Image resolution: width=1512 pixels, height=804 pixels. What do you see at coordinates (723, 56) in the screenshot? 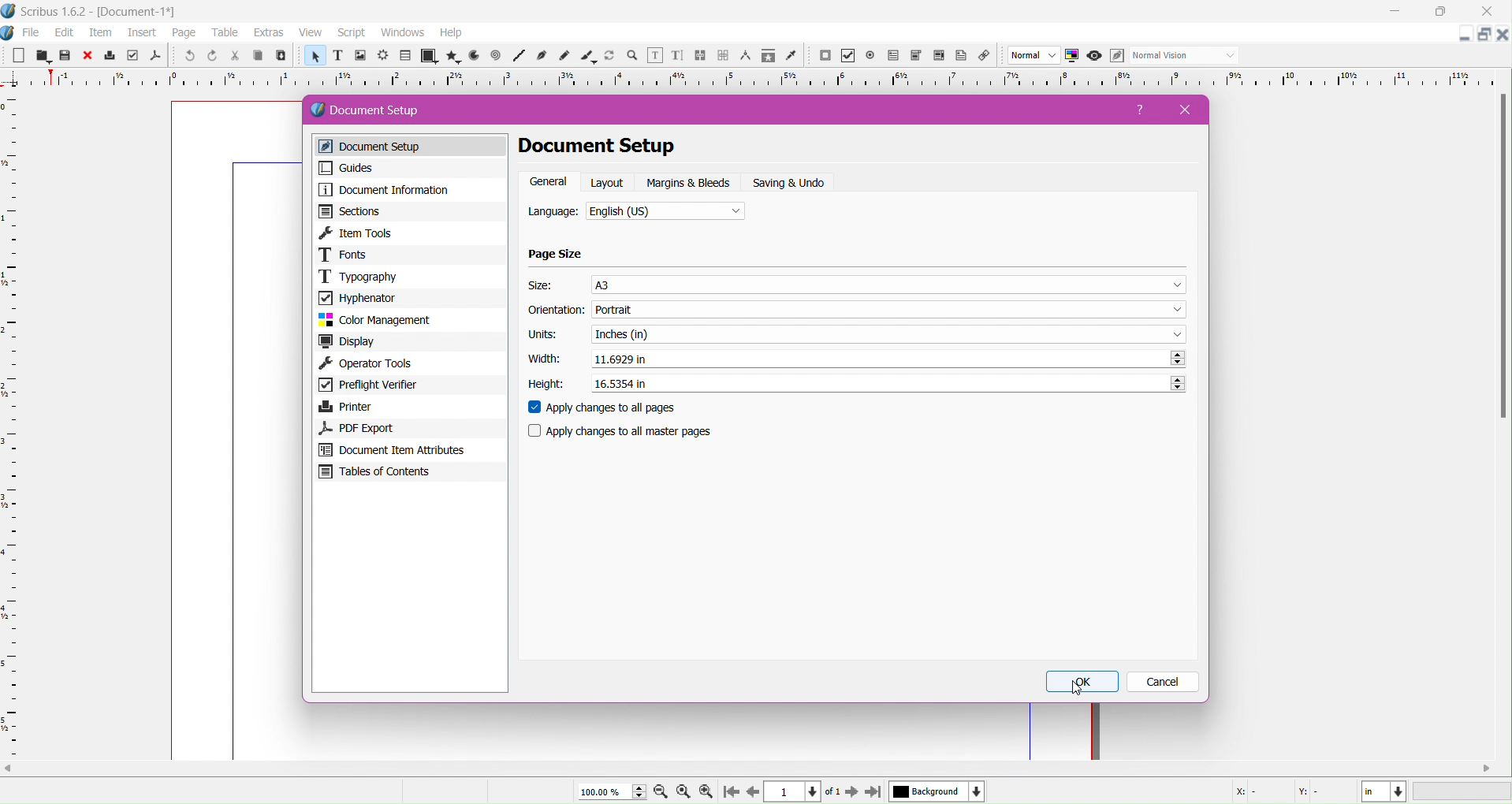
I see `unlink text frames` at bounding box center [723, 56].